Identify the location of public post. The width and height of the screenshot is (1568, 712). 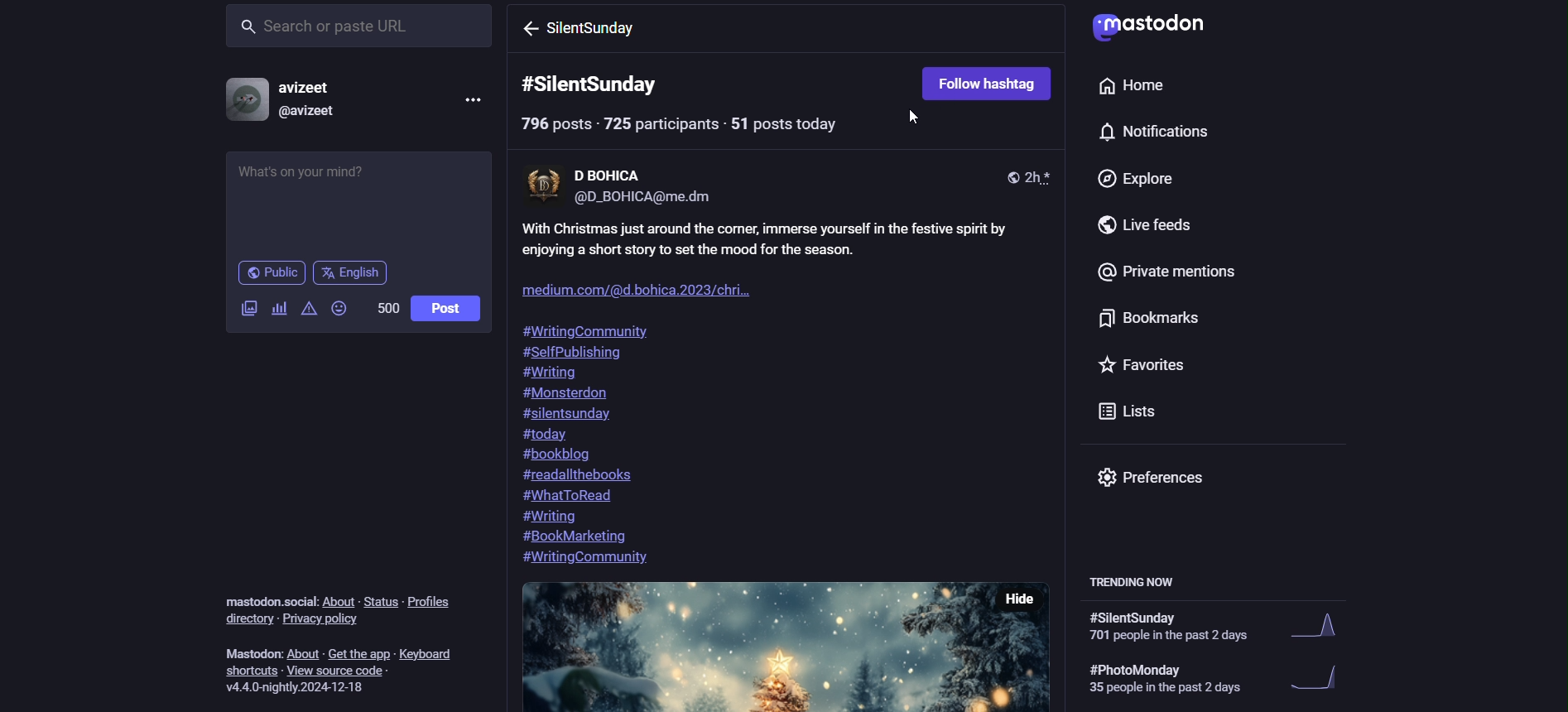
(1009, 176).